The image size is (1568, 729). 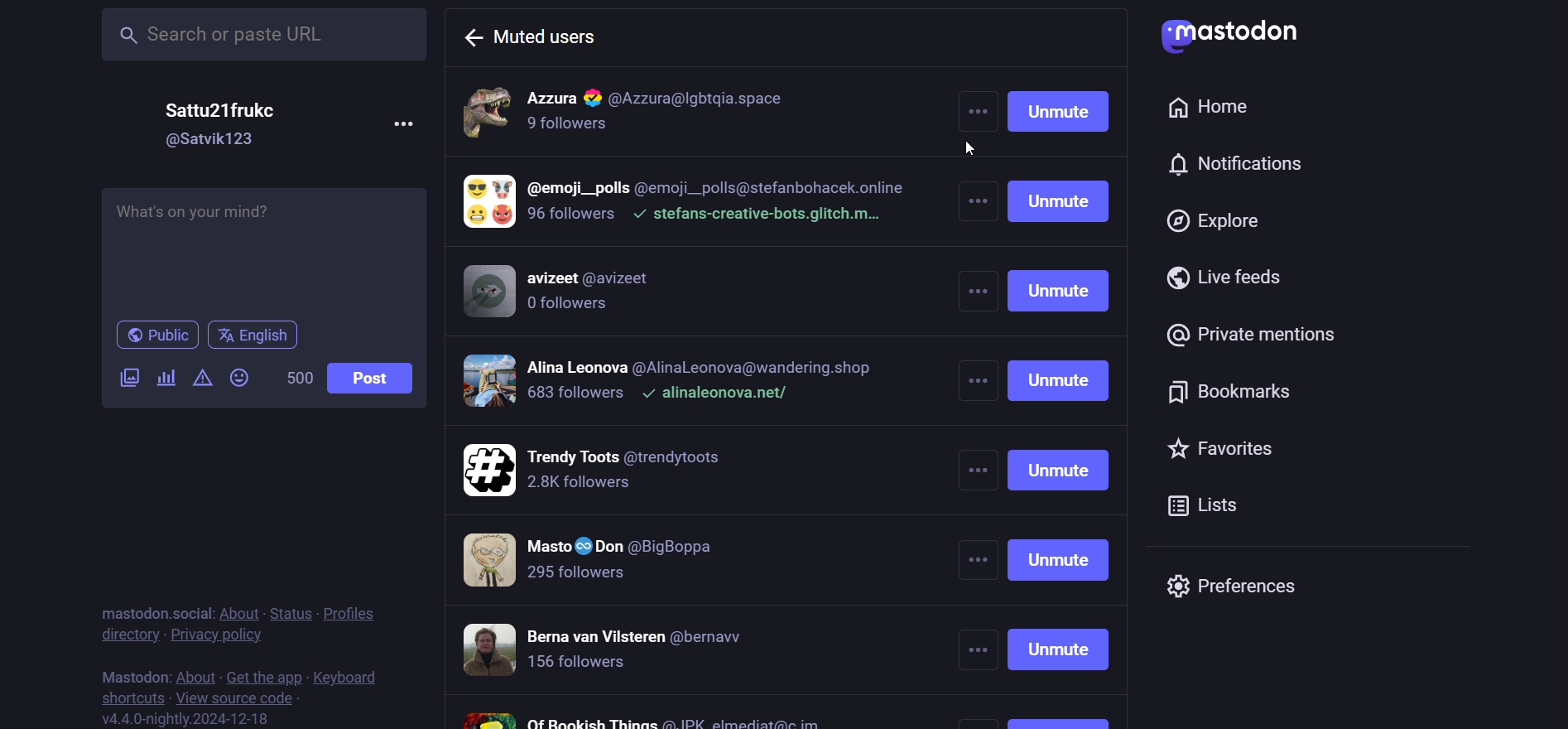 I want to click on about, so click(x=194, y=671).